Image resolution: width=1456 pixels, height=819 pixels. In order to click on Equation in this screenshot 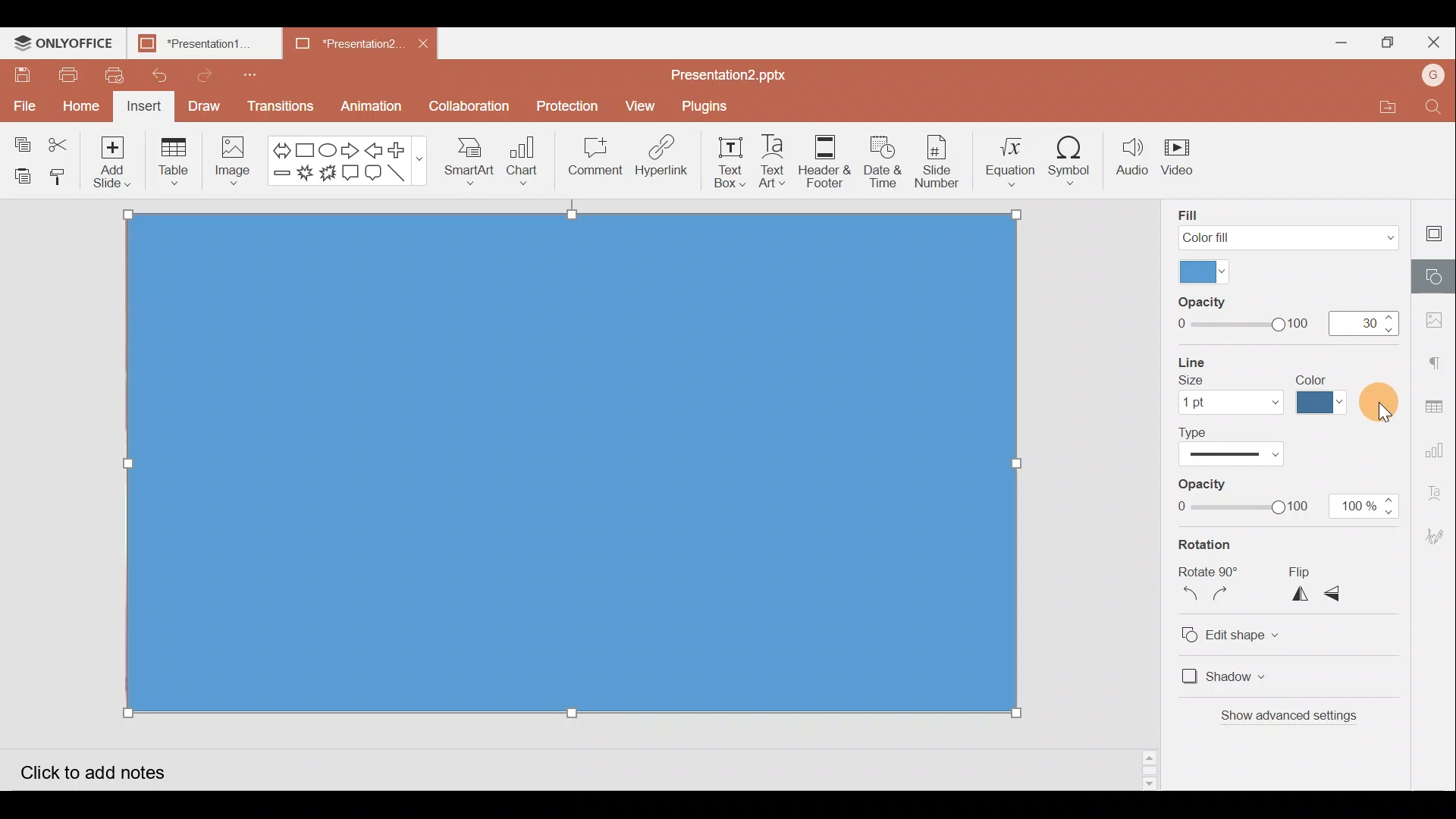, I will do `click(1010, 158)`.